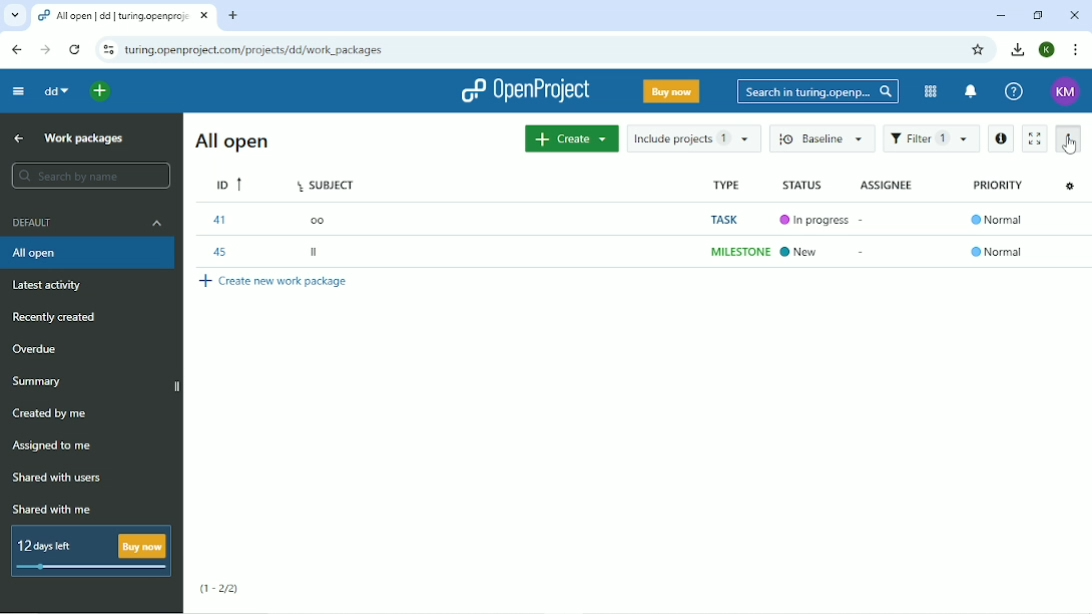 Image resolution: width=1092 pixels, height=614 pixels. What do you see at coordinates (74, 50) in the screenshot?
I see `Reload this page ` at bounding box center [74, 50].